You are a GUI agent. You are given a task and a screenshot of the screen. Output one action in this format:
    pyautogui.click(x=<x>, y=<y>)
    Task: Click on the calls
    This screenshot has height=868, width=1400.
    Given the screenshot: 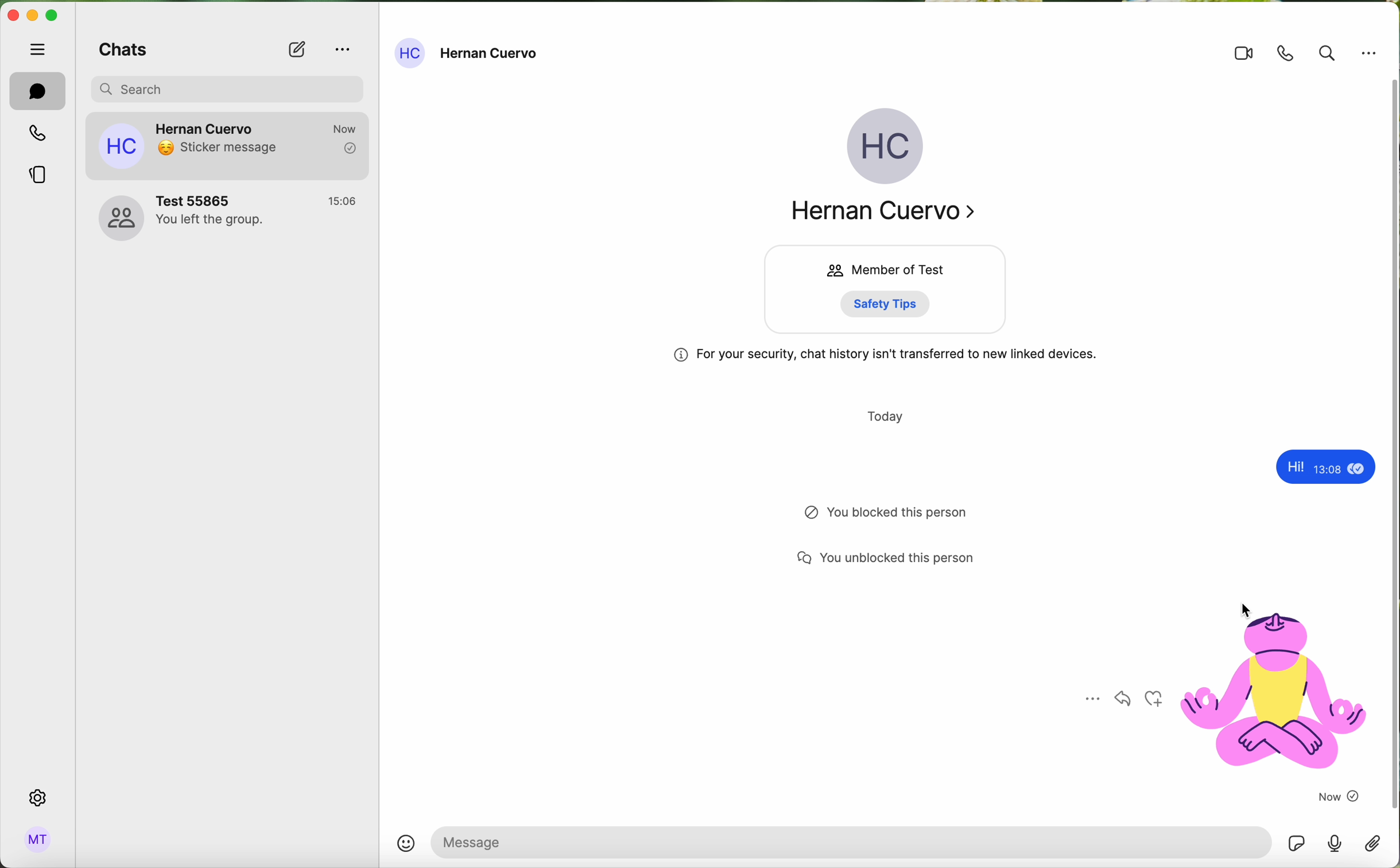 What is the action you would take?
    pyautogui.click(x=36, y=135)
    